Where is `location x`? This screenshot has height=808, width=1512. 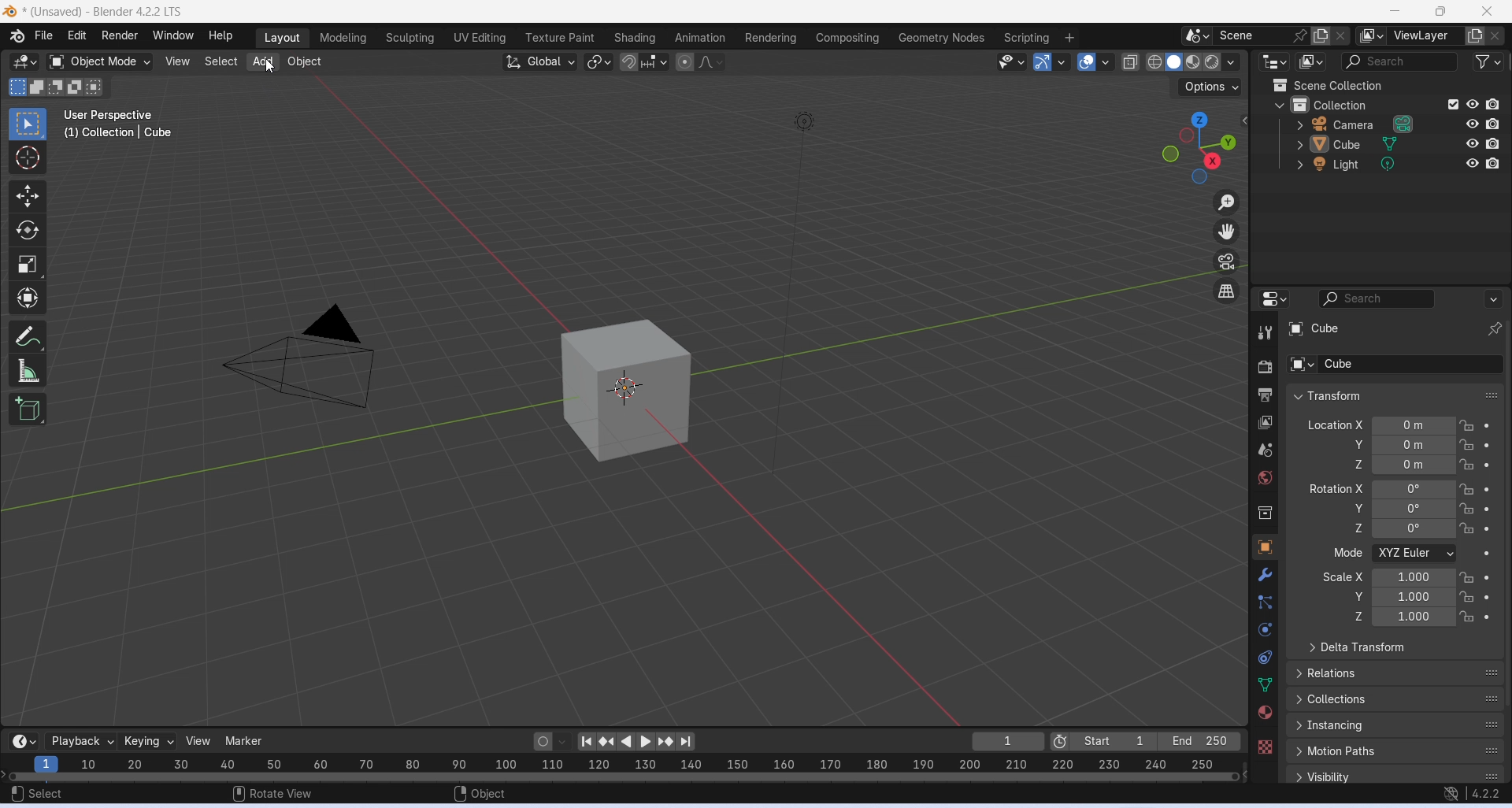
location x is located at coordinates (1333, 424).